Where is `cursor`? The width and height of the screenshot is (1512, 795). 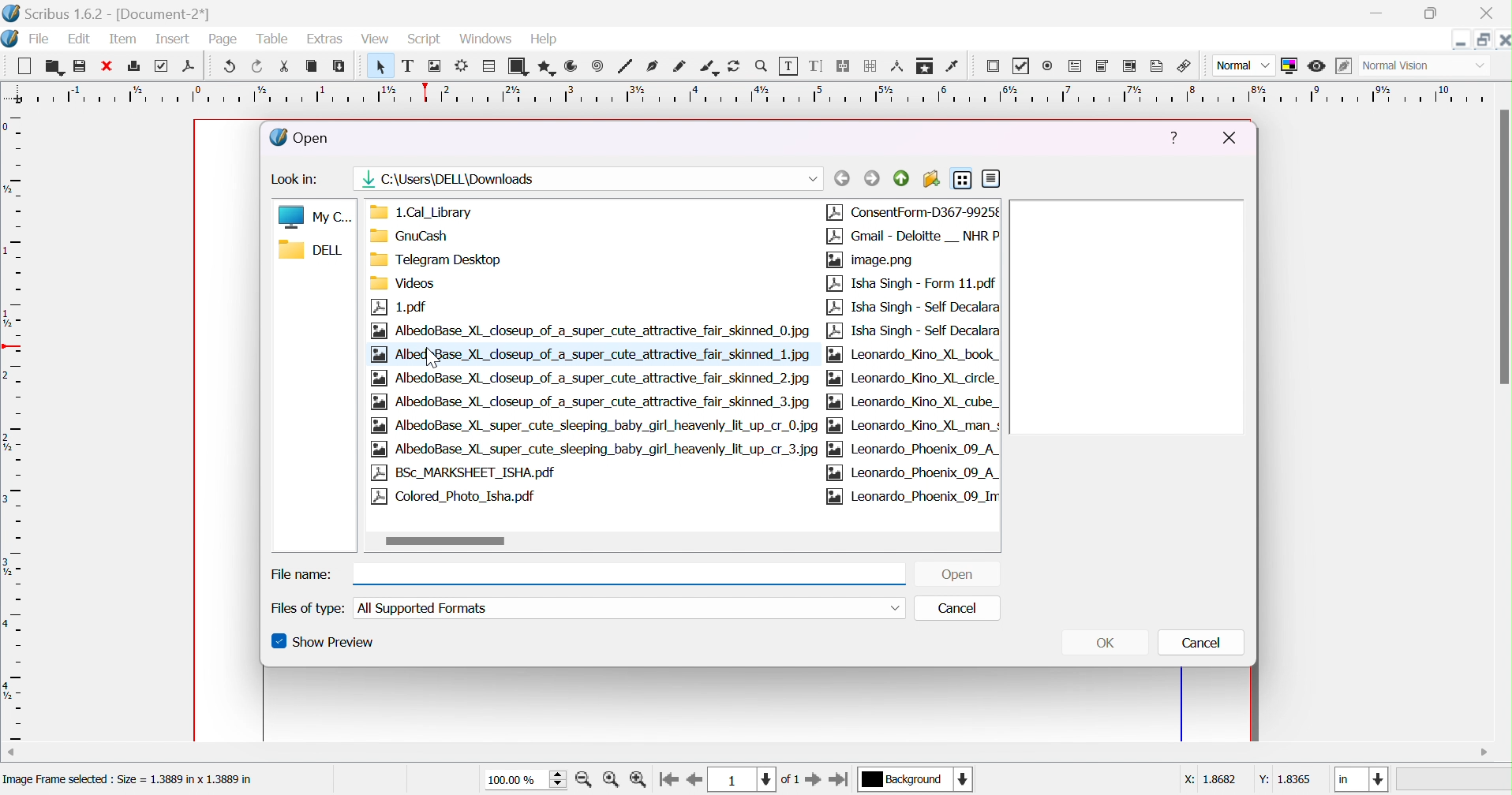 cursor is located at coordinates (432, 358).